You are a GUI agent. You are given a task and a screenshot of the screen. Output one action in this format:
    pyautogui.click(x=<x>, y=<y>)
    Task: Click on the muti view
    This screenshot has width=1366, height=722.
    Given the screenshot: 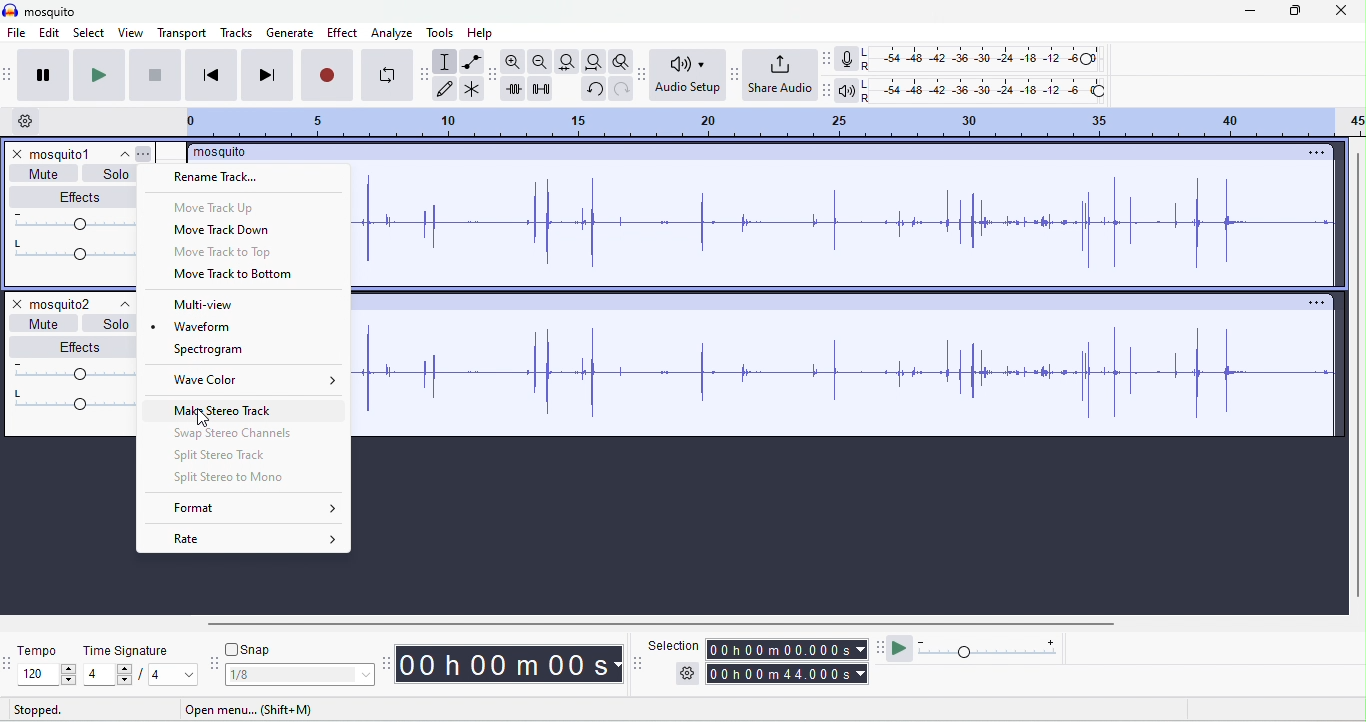 What is the action you would take?
    pyautogui.click(x=208, y=307)
    